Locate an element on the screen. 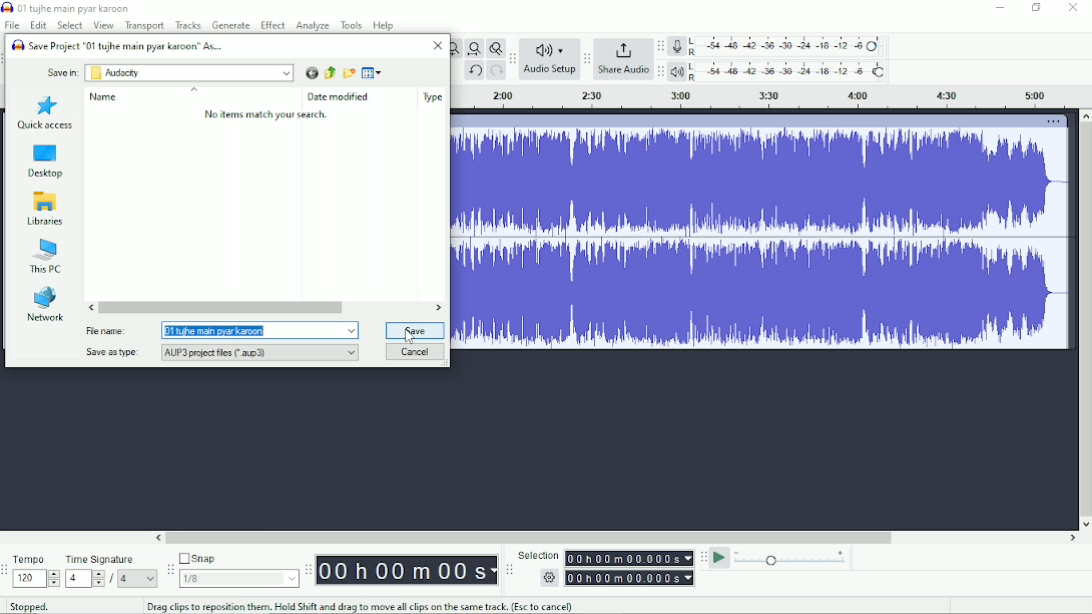 This screenshot has width=1092, height=614. Select is located at coordinates (69, 25).